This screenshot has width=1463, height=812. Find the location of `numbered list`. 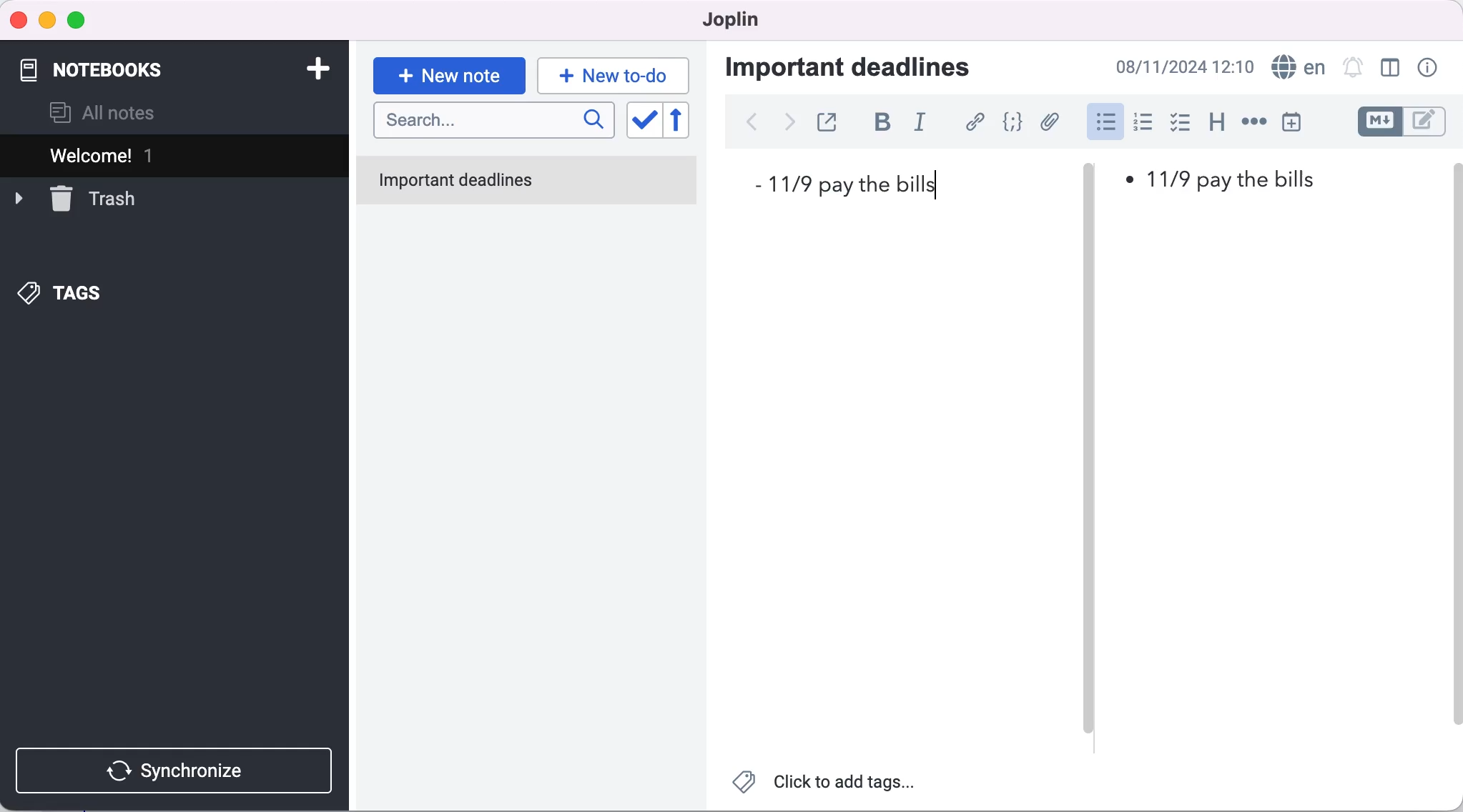

numbered list is located at coordinates (1142, 123).